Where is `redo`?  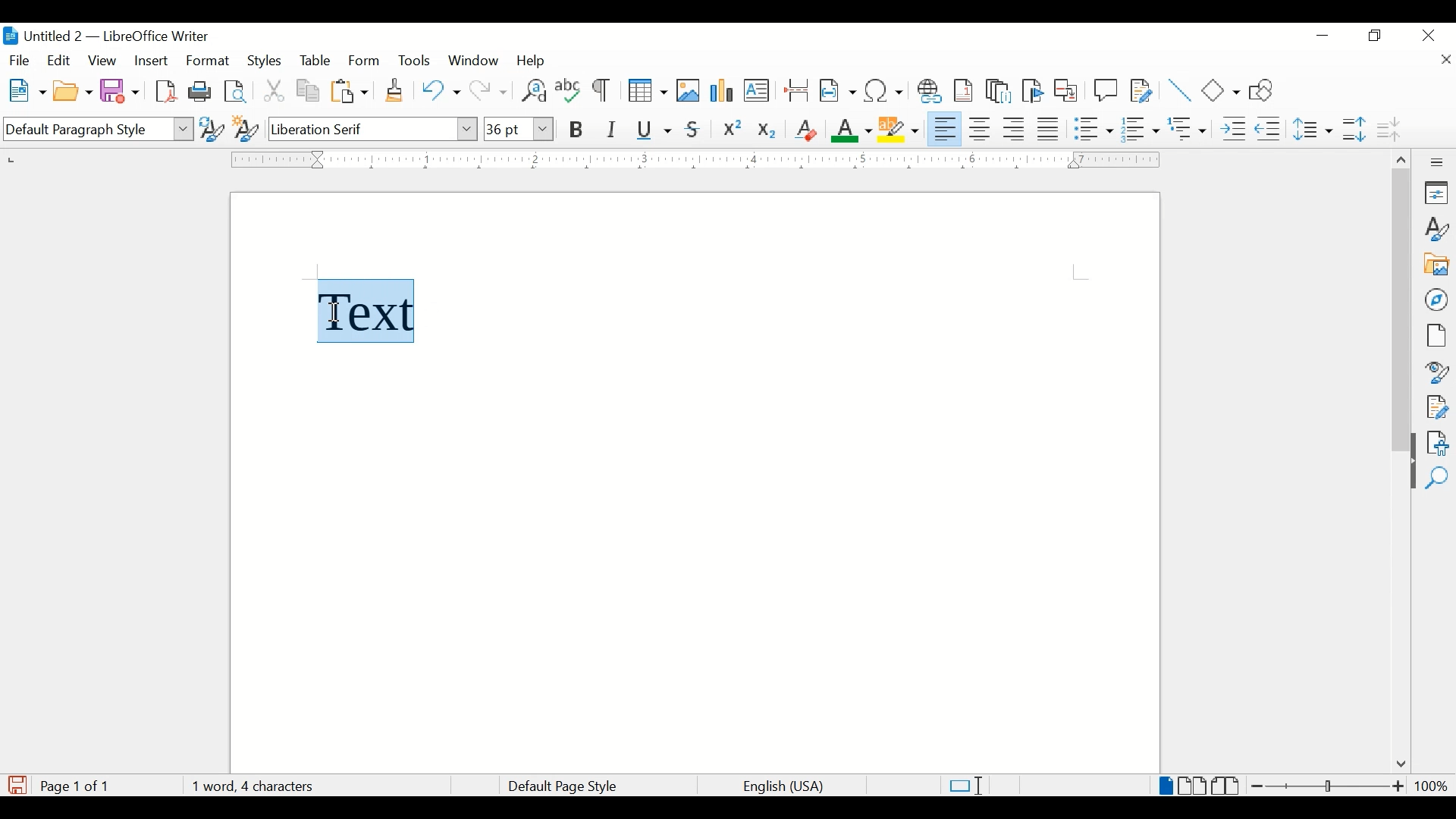 redo is located at coordinates (489, 91).